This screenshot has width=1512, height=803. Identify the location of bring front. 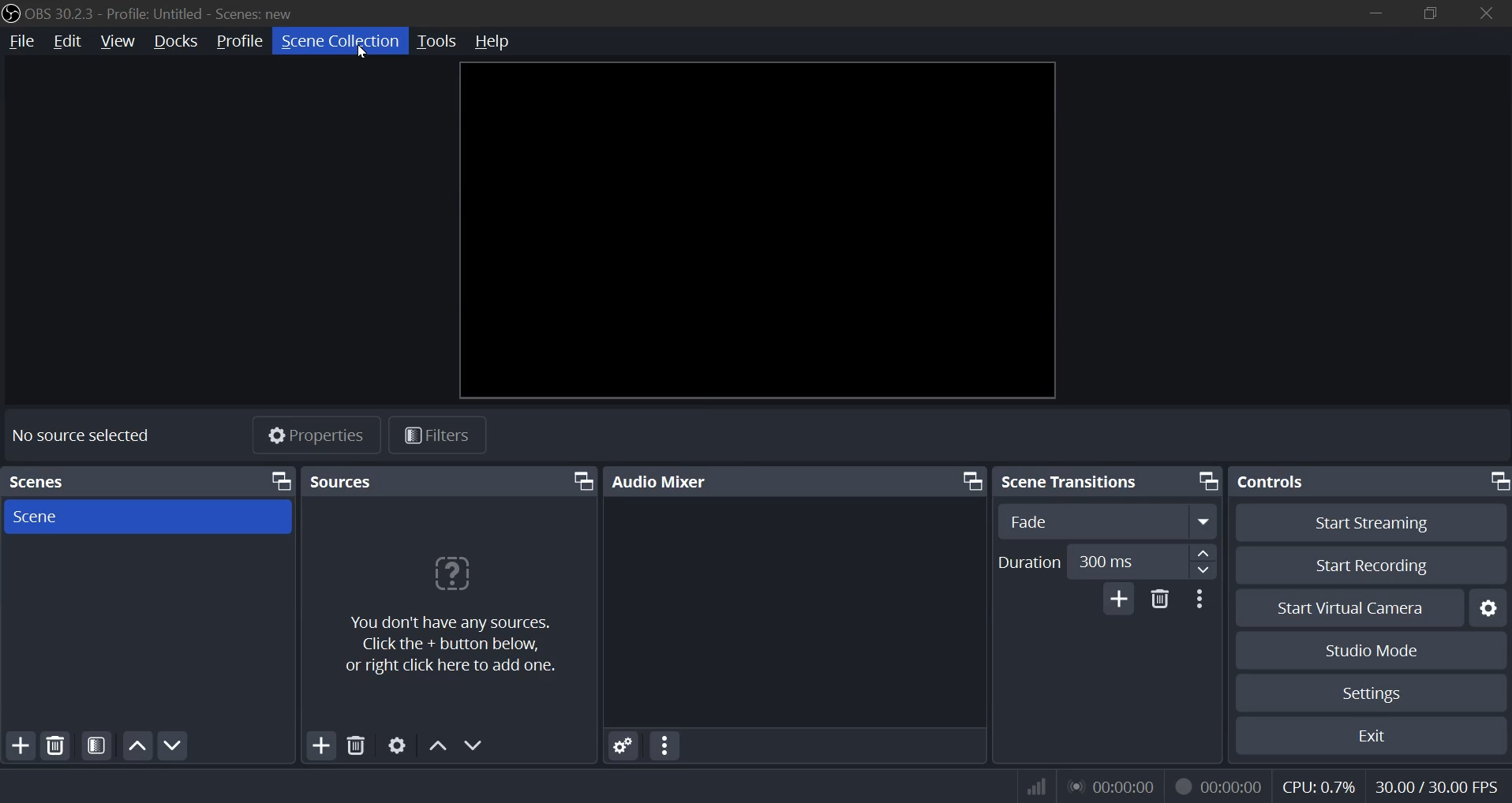
(578, 481).